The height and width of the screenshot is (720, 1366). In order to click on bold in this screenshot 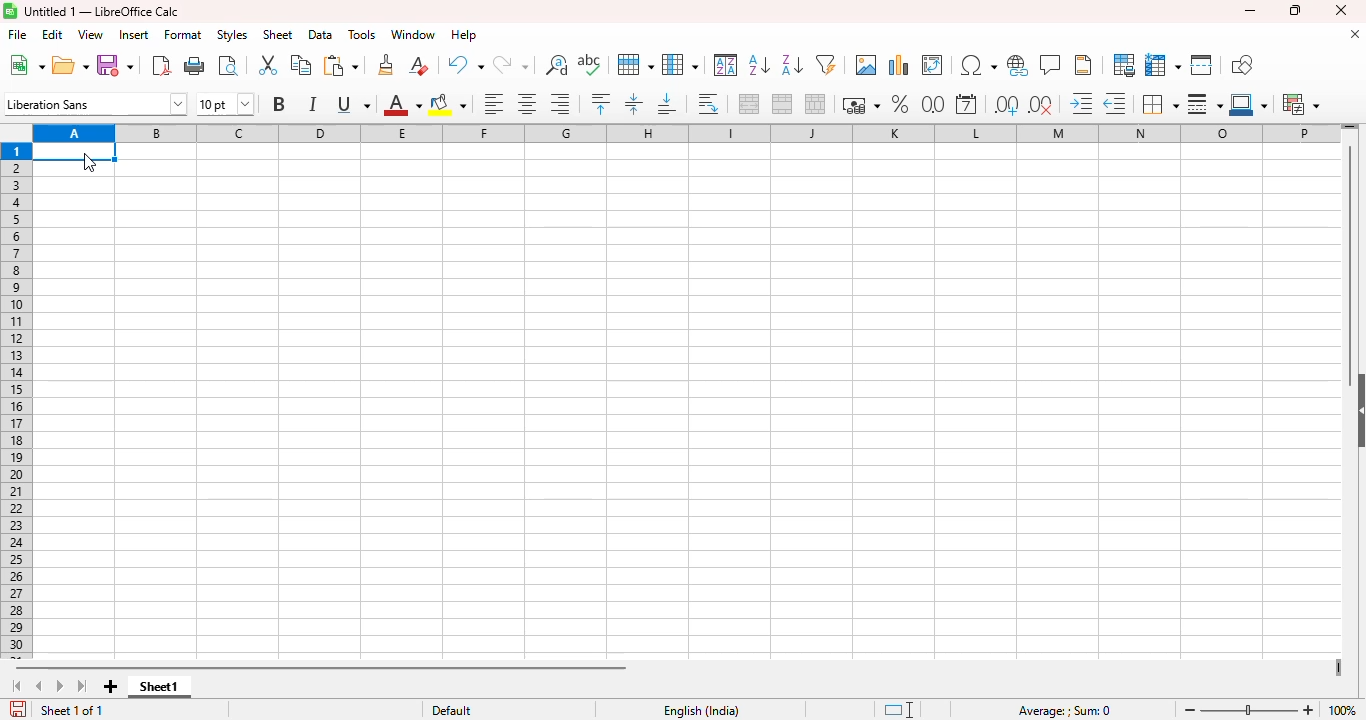, I will do `click(278, 103)`.